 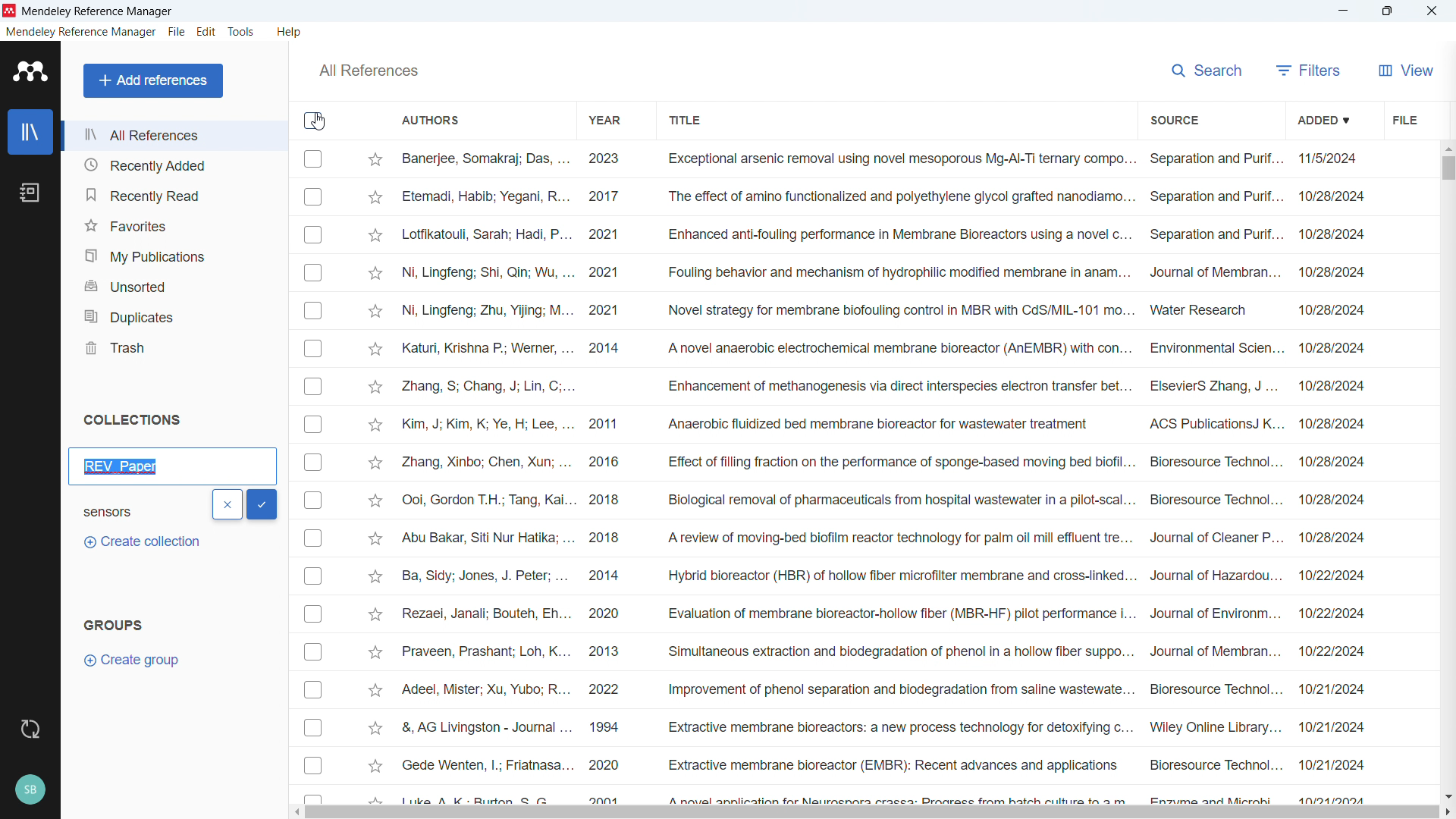 I want to click on &, AG Livingston - Journal ... 1994 Extractive membrane bioreactors: a new process technology for detoxifying c... Wiley Online Library... 10/21/2024, so click(x=883, y=726).